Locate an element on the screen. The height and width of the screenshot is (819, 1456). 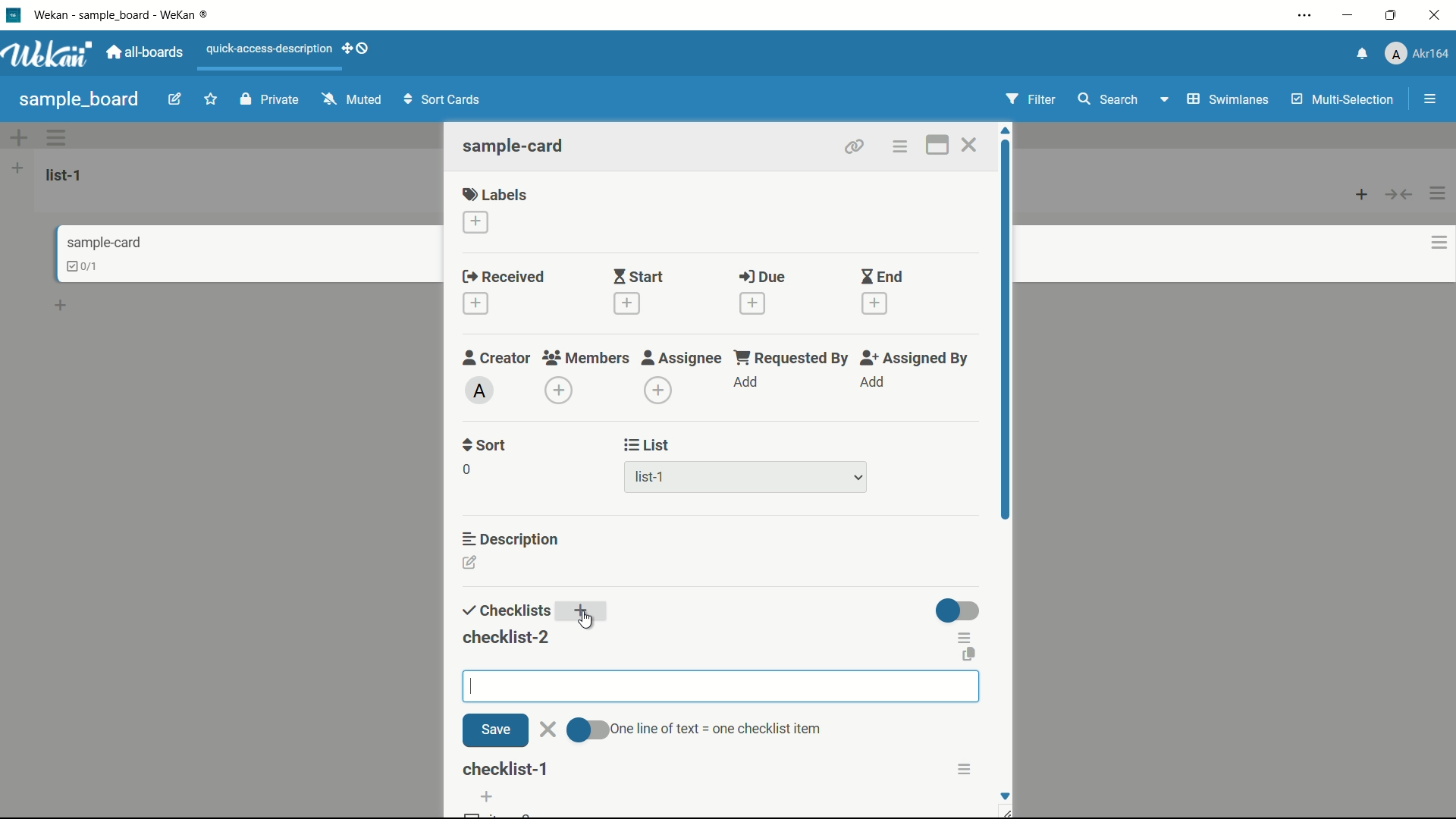
minimize is located at coordinates (1346, 16).